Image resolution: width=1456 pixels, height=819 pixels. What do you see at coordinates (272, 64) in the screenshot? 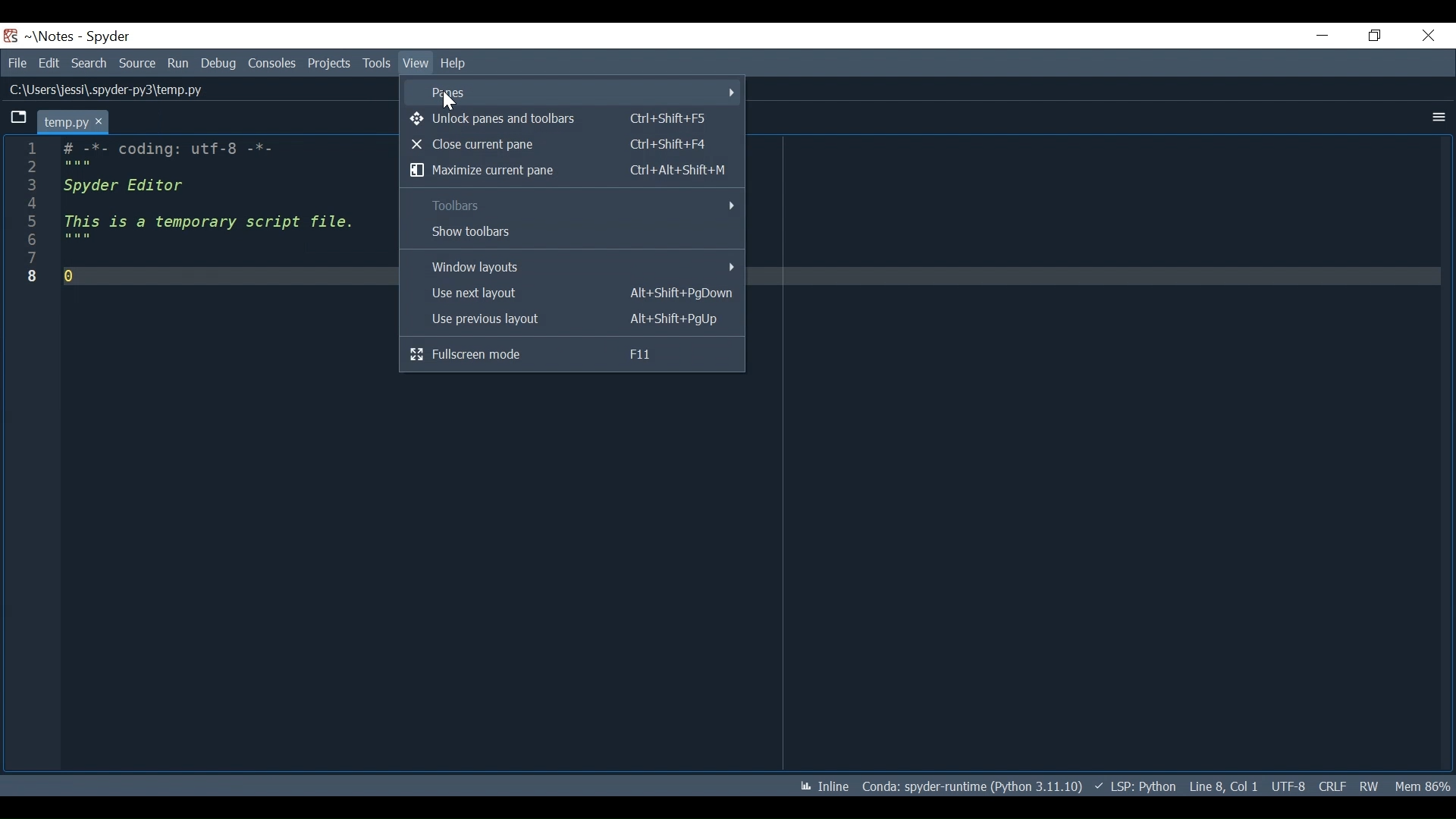
I see `Consoles` at bounding box center [272, 64].